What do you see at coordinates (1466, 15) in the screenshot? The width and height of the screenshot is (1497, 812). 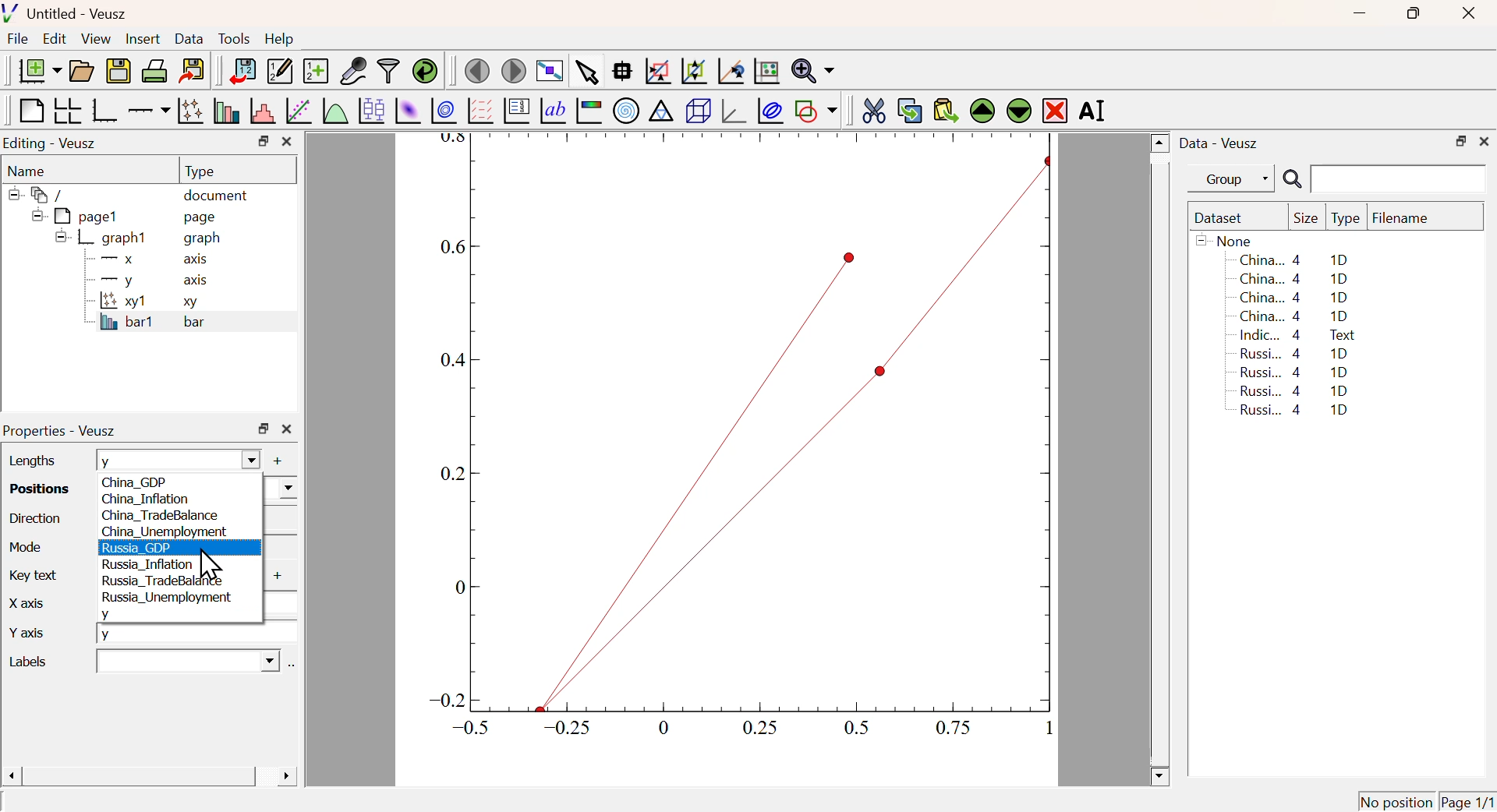 I see `Close` at bounding box center [1466, 15].